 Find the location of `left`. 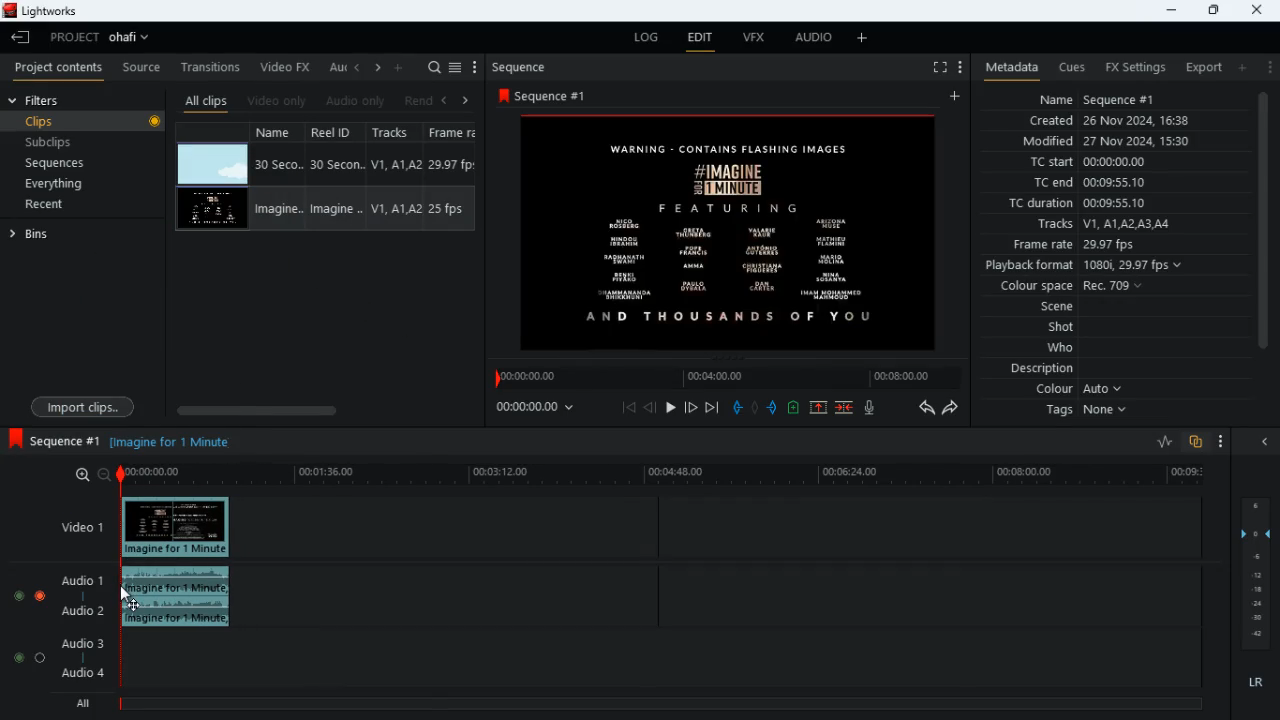

left is located at coordinates (358, 67).